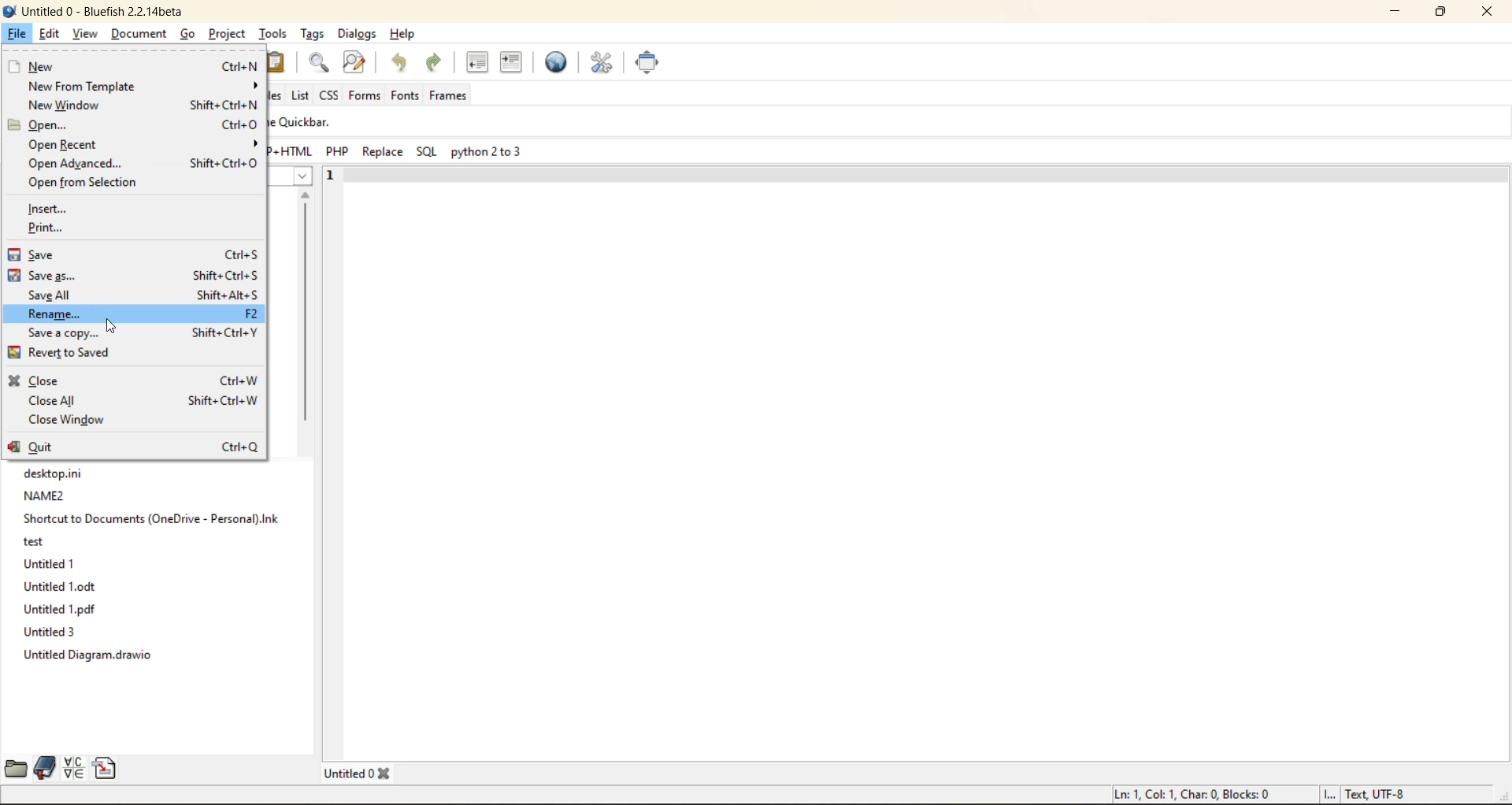  What do you see at coordinates (43, 769) in the screenshot?
I see `bookmarks` at bounding box center [43, 769].